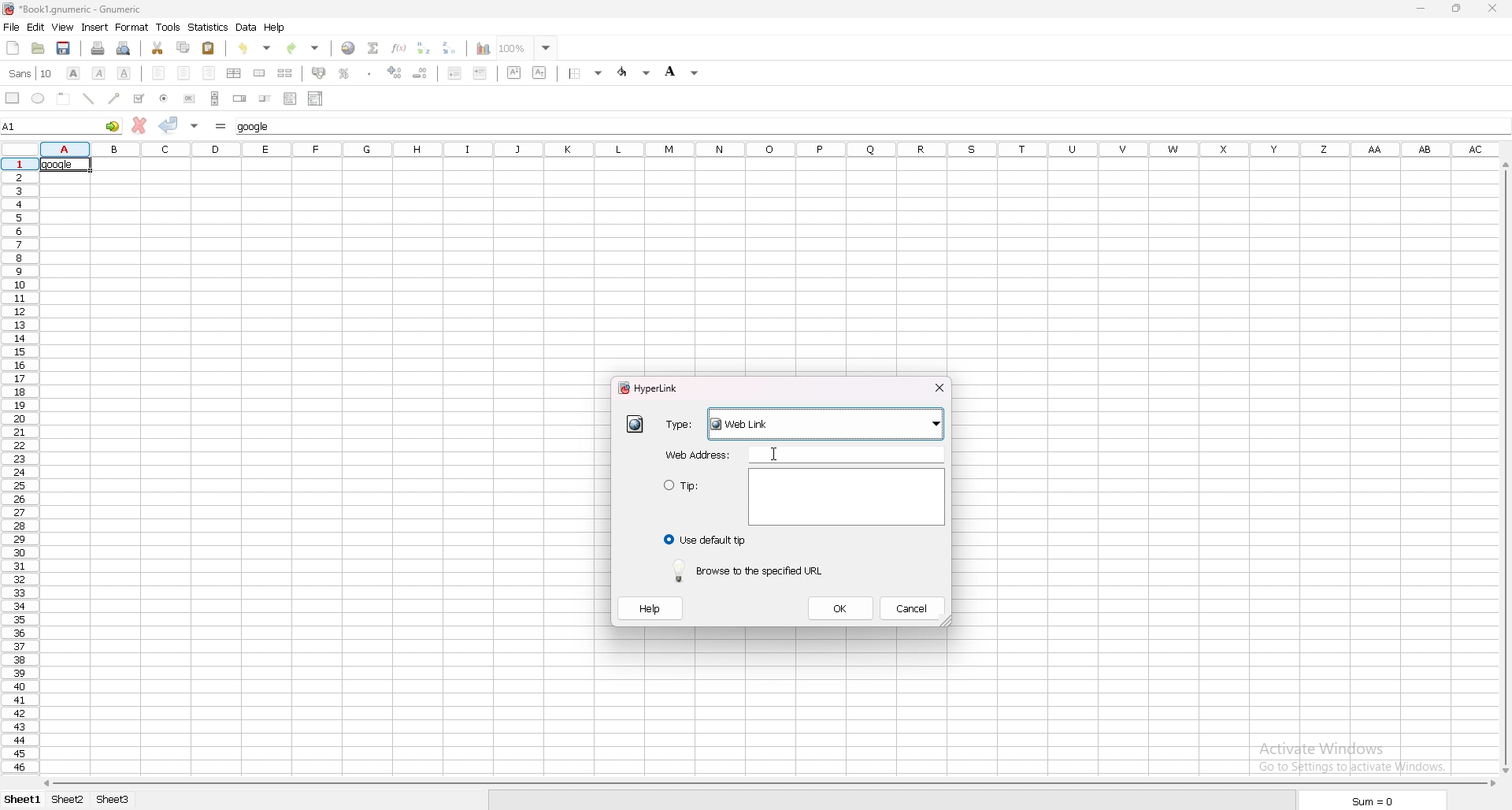 The width and height of the screenshot is (1512, 810). What do you see at coordinates (750, 570) in the screenshot?
I see `browse to the specified url` at bounding box center [750, 570].